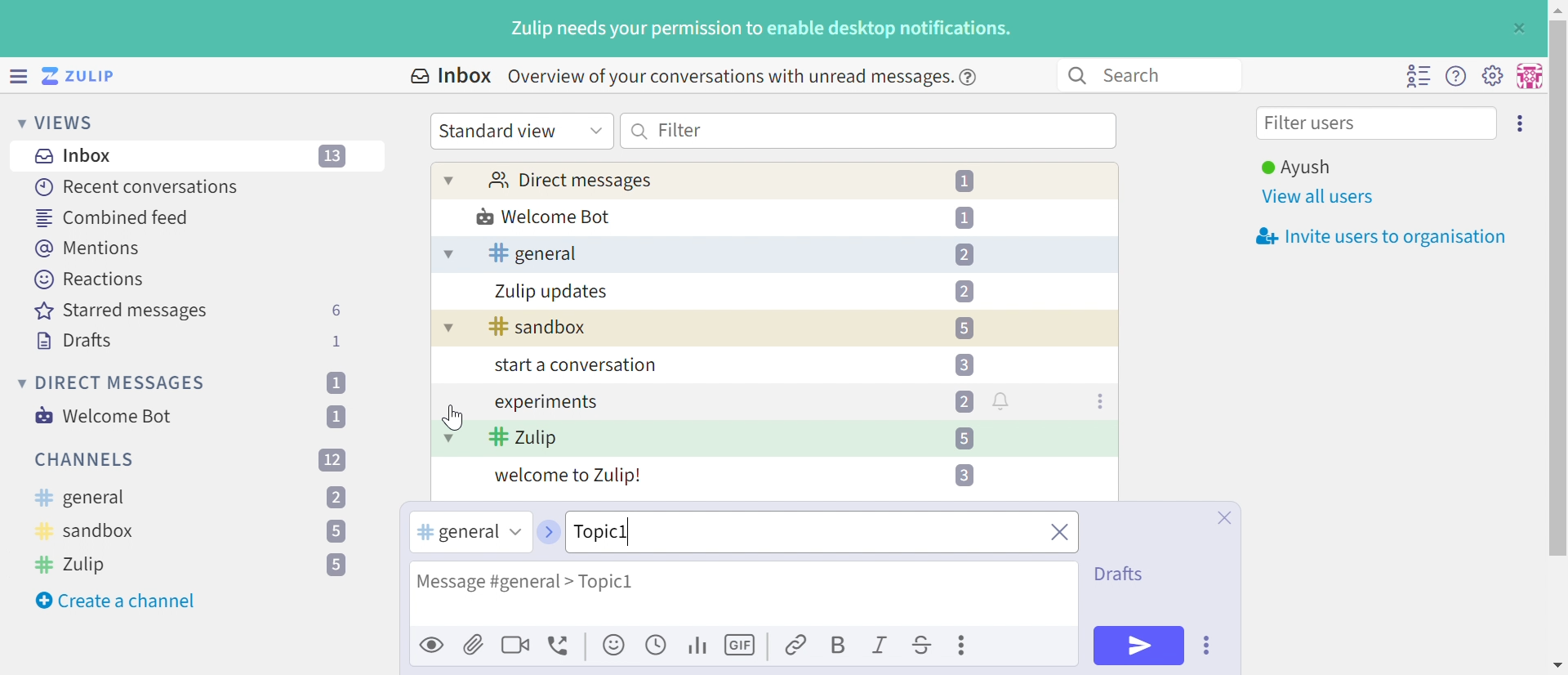  I want to click on Drafts, so click(74, 342).